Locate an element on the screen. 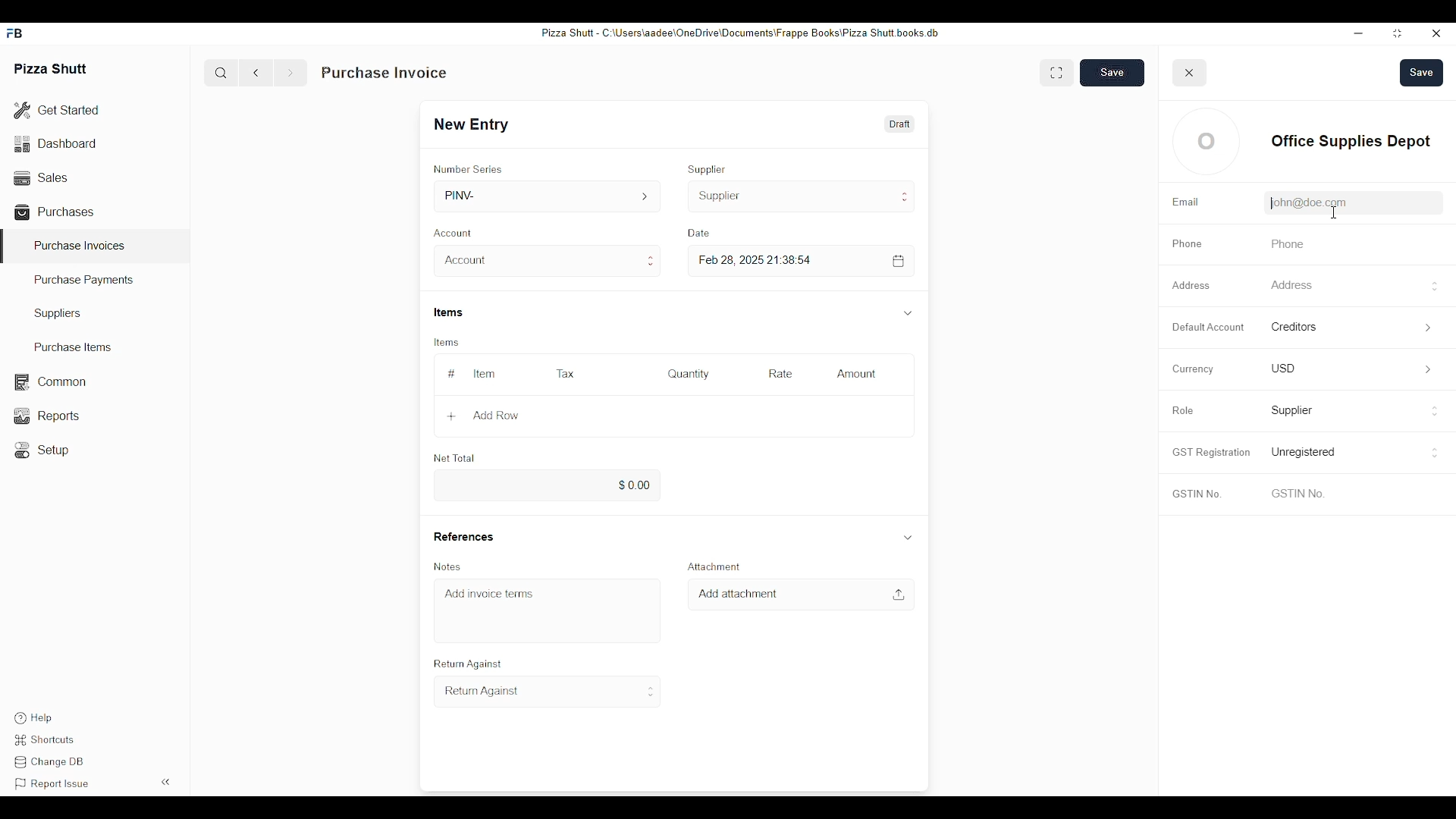 The image size is (1456, 819). Supplier is located at coordinates (1293, 411).